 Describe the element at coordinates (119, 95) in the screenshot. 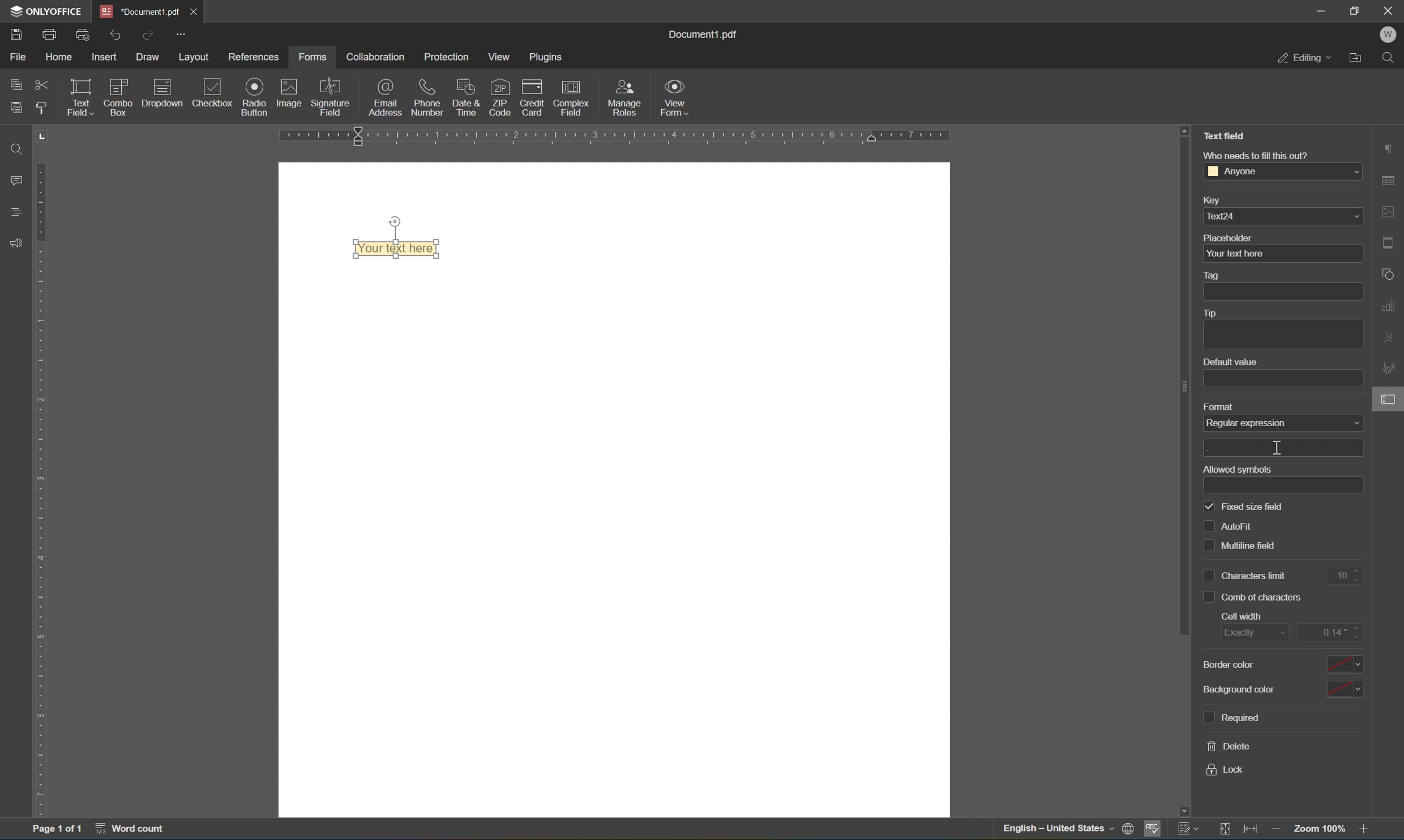

I see `icon` at that location.